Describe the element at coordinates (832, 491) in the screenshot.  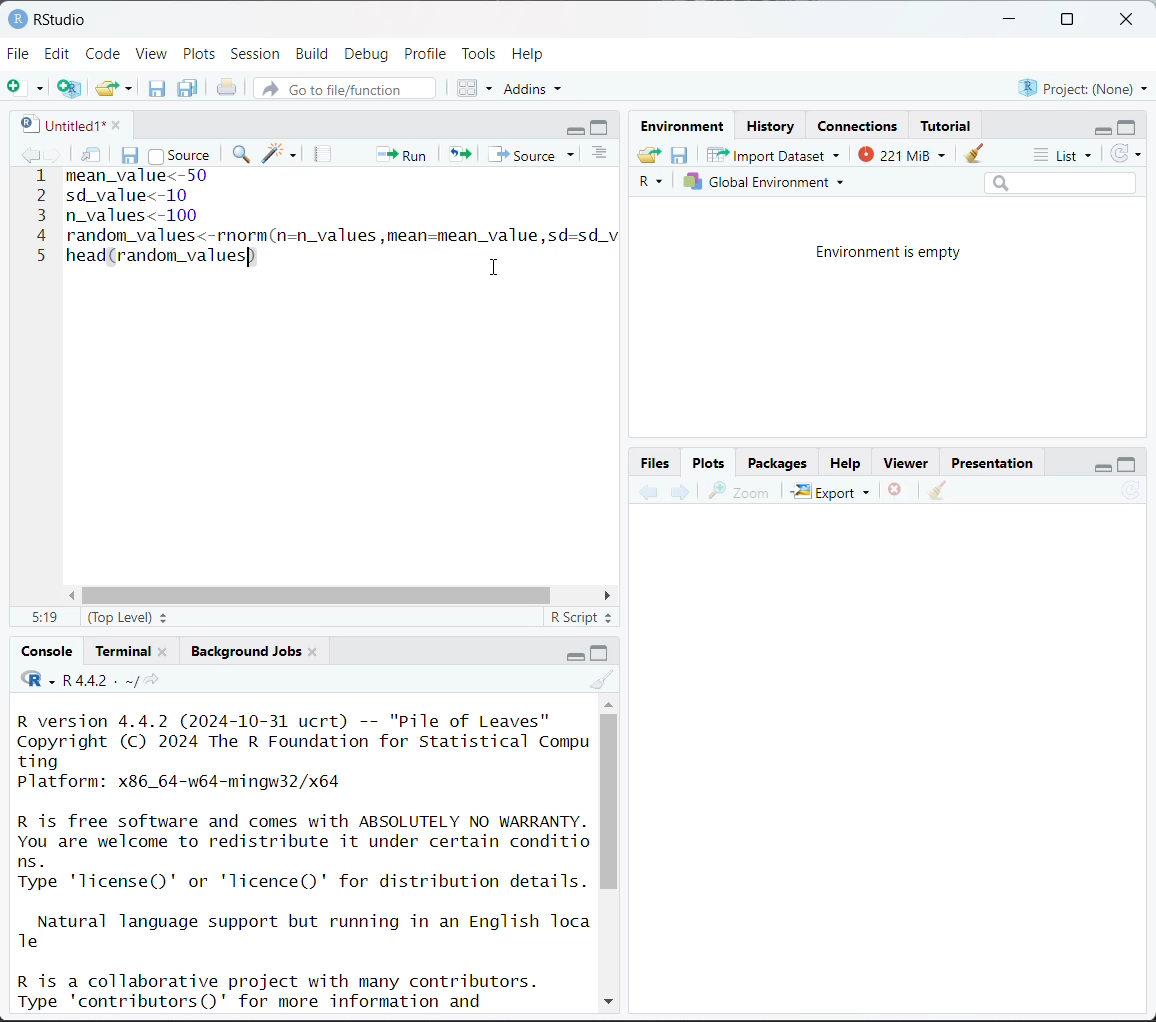
I see `Export` at that location.